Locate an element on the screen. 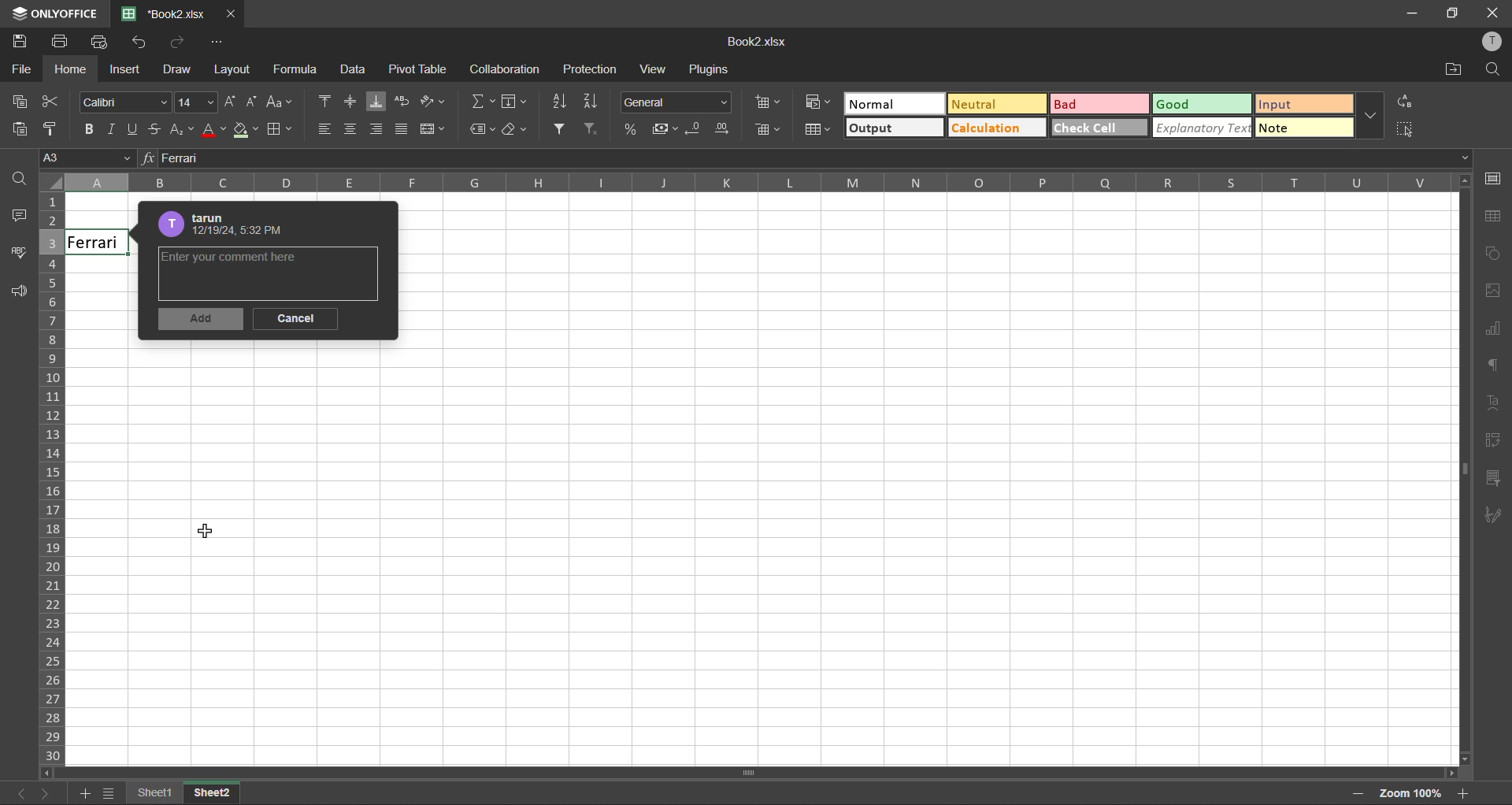  Full Screen is located at coordinates (1454, 14).